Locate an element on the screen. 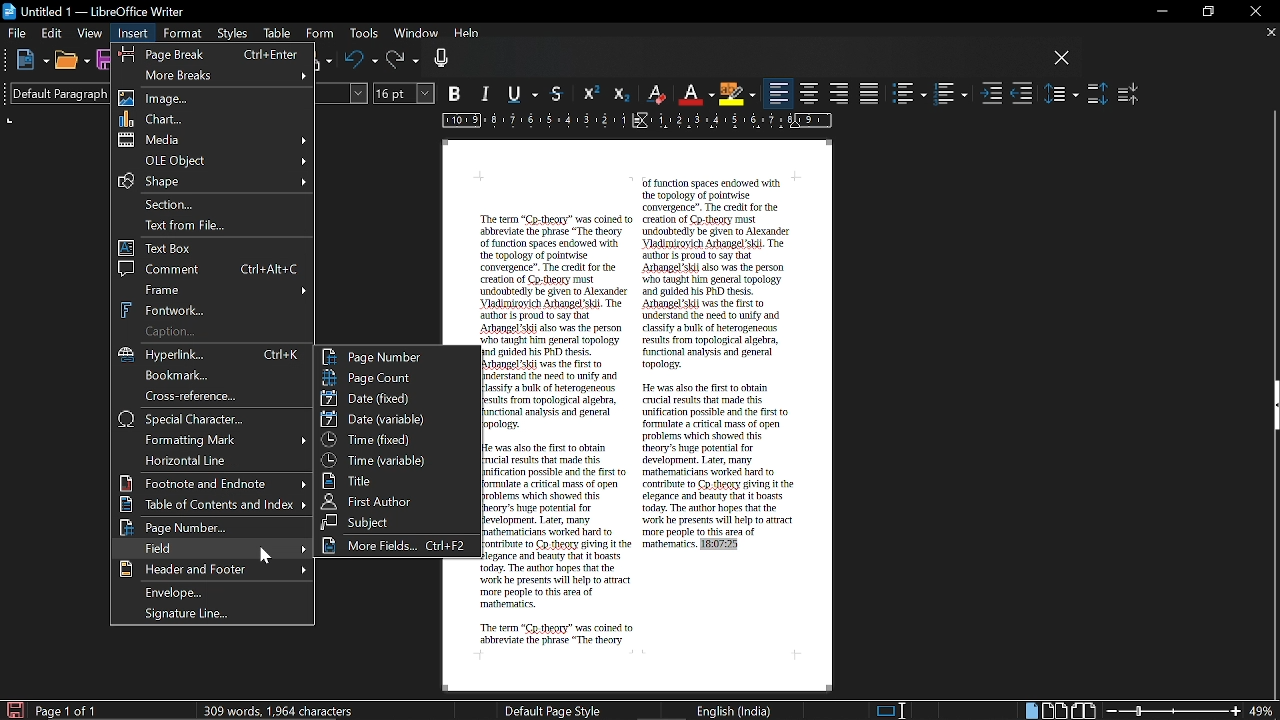 The height and width of the screenshot is (720, 1280). Horizontal line is located at coordinates (210, 460).